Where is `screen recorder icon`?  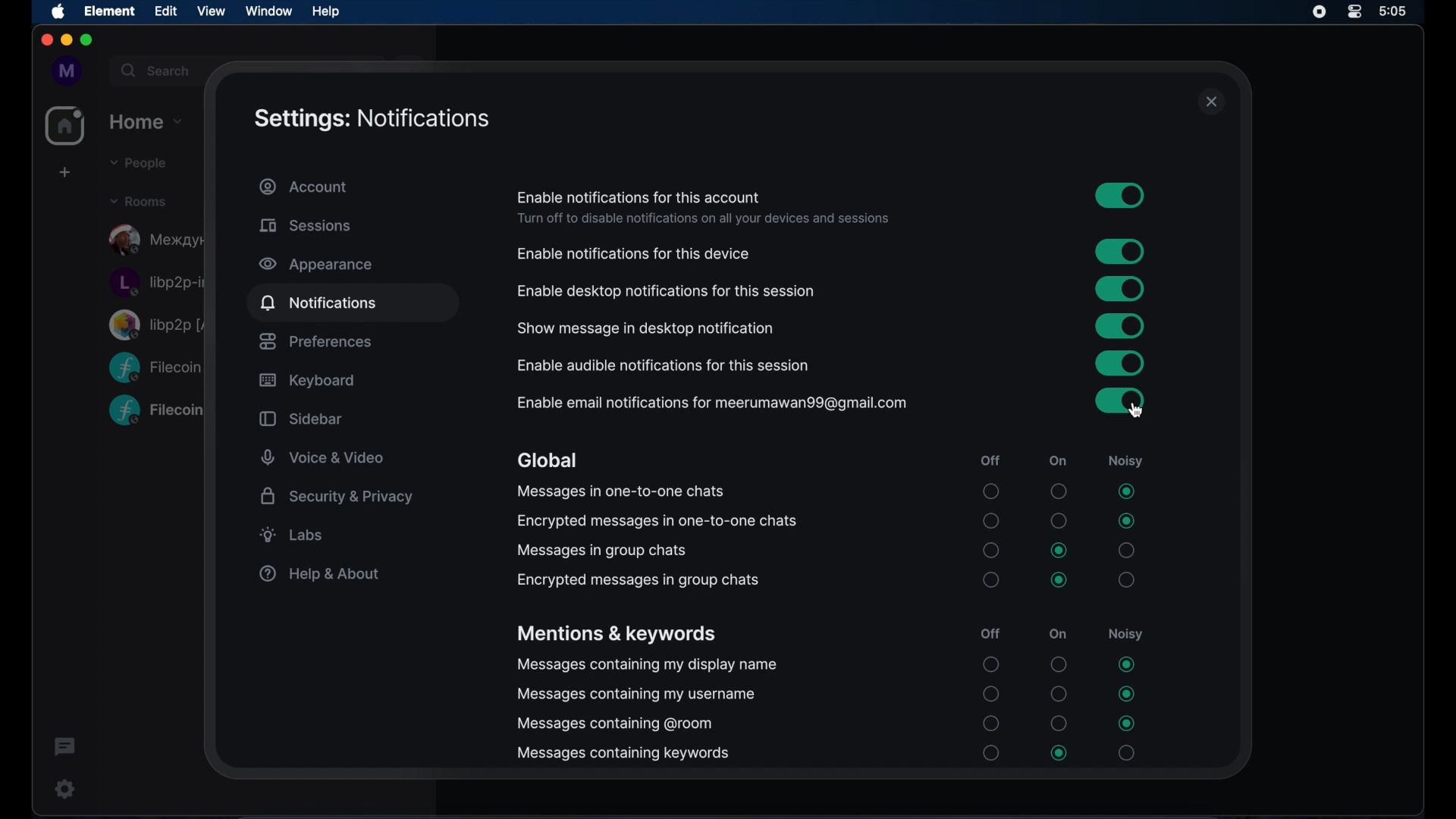 screen recorder icon is located at coordinates (1319, 12).